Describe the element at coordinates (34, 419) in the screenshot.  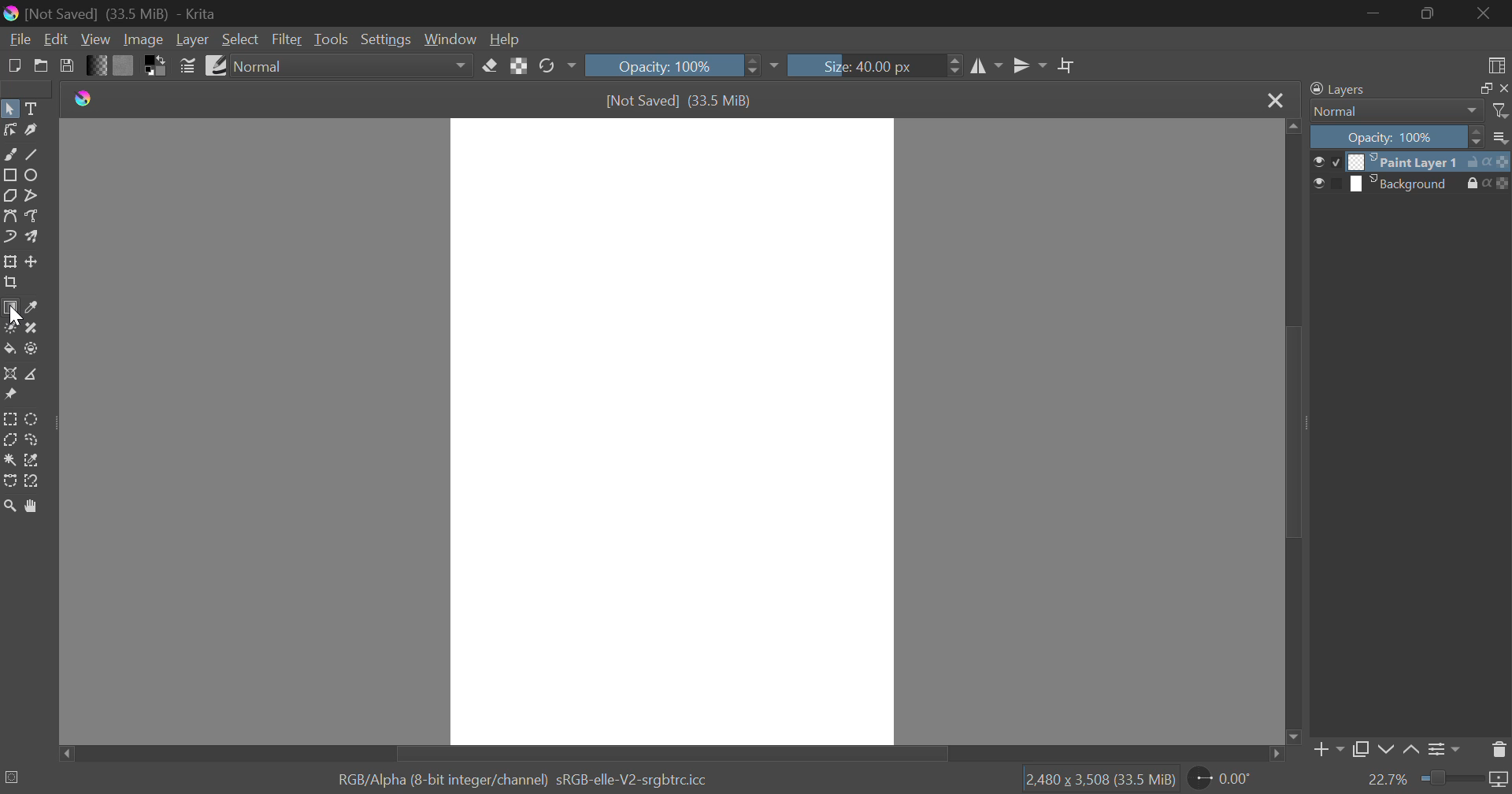
I see `Circular Selection` at that location.